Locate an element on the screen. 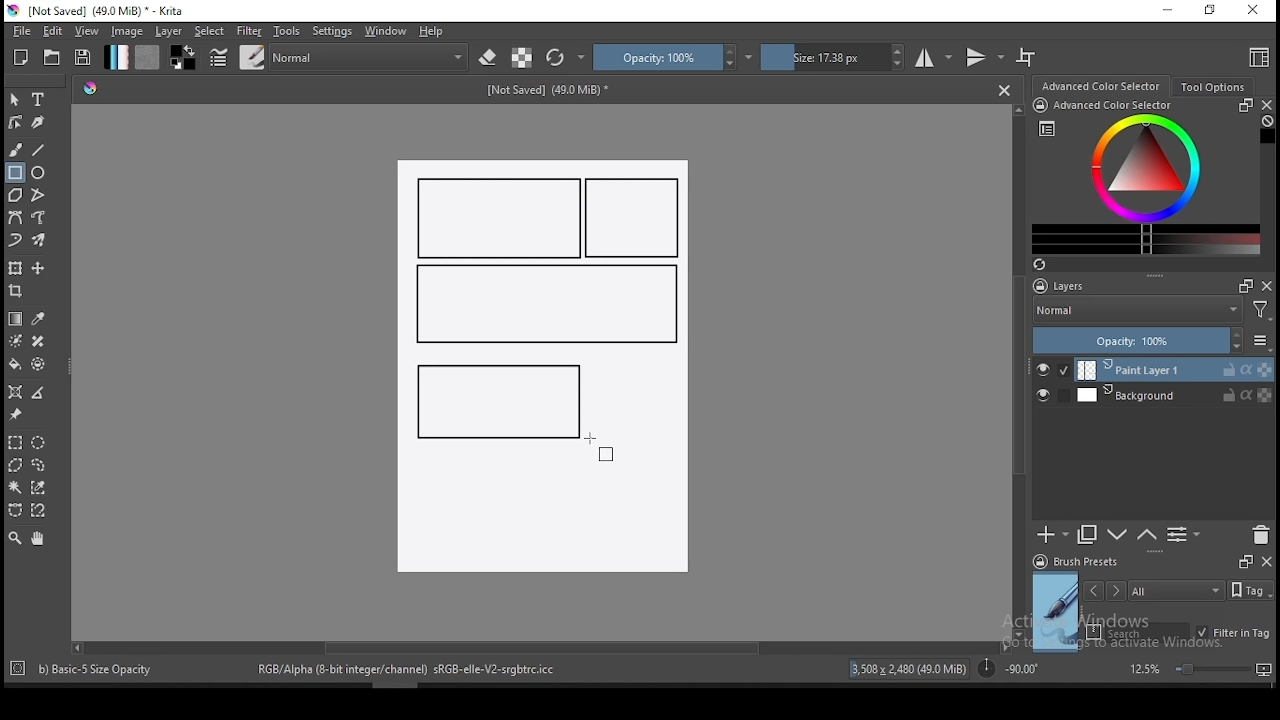 The height and width of the screenshot is (720, 1280). reload original preset is located at coordinates (566, 57).